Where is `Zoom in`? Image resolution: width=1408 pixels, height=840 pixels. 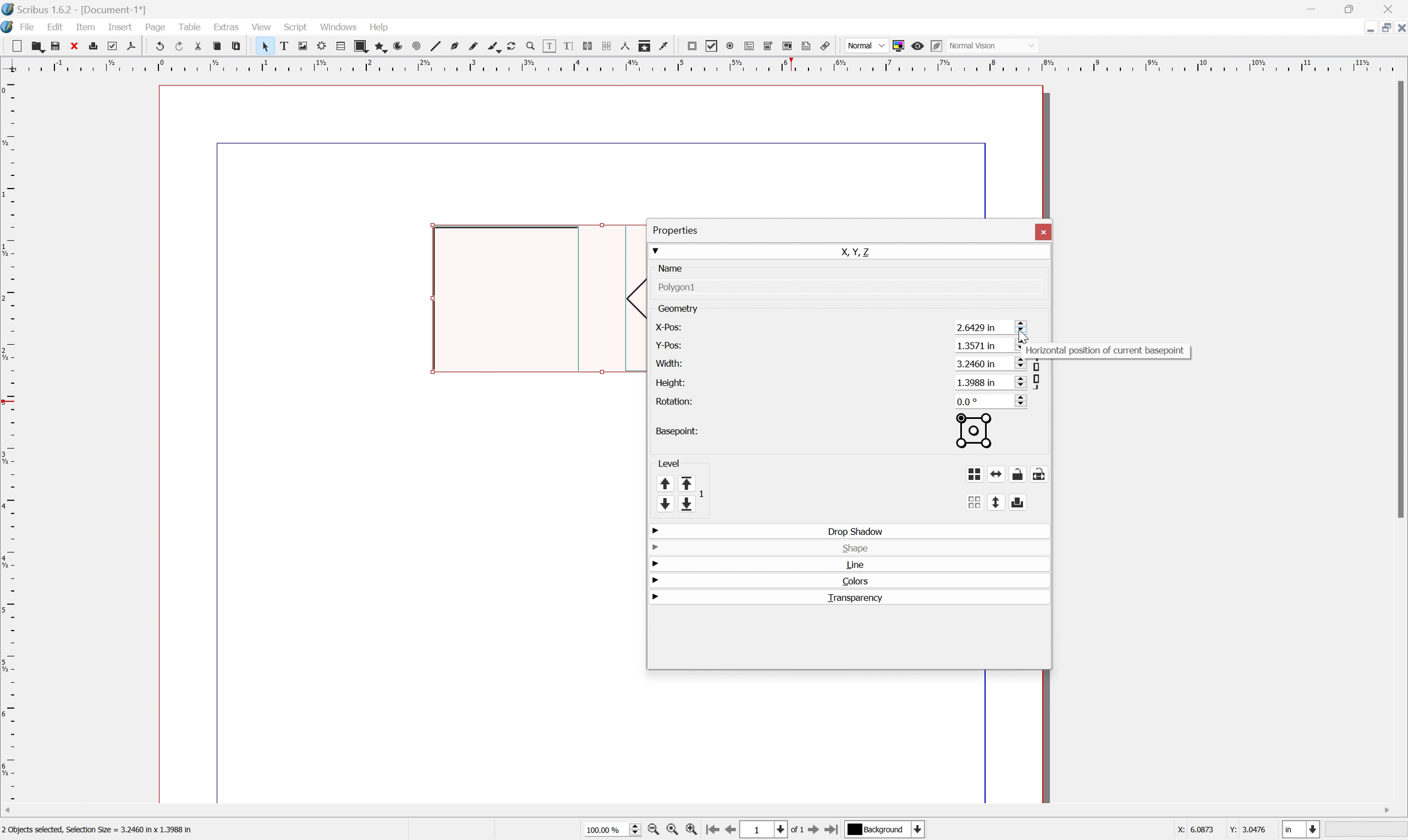 Zoom in is located at coordinates (687, 830).